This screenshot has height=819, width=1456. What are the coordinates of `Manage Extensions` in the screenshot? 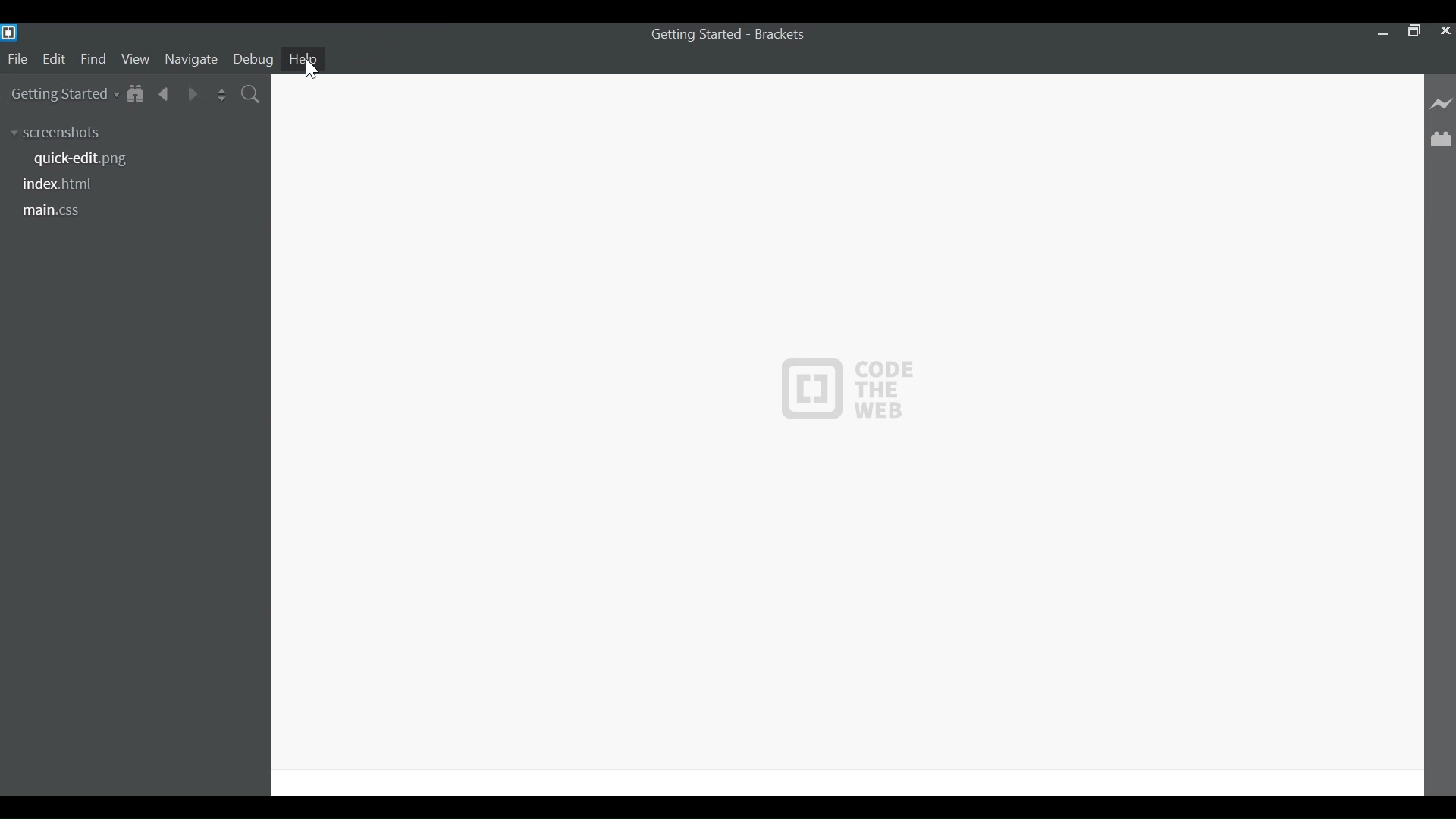 It's located at (1443, 138).